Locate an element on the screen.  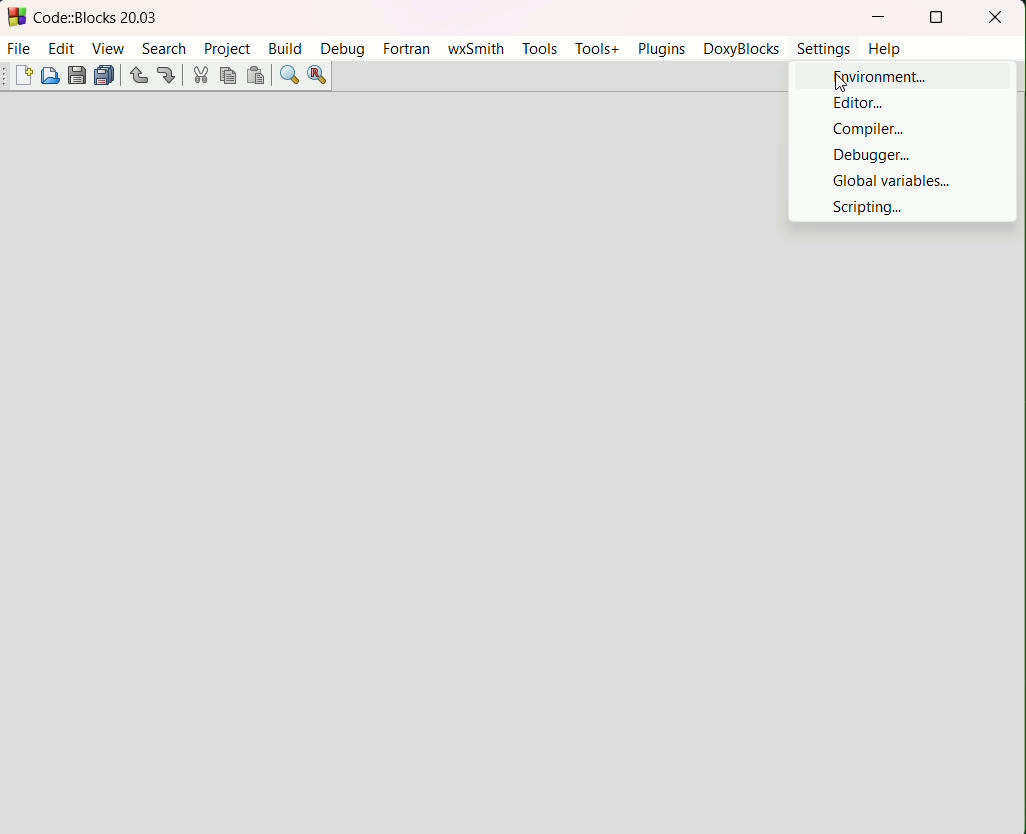
build is located at coordinates (286, 48).